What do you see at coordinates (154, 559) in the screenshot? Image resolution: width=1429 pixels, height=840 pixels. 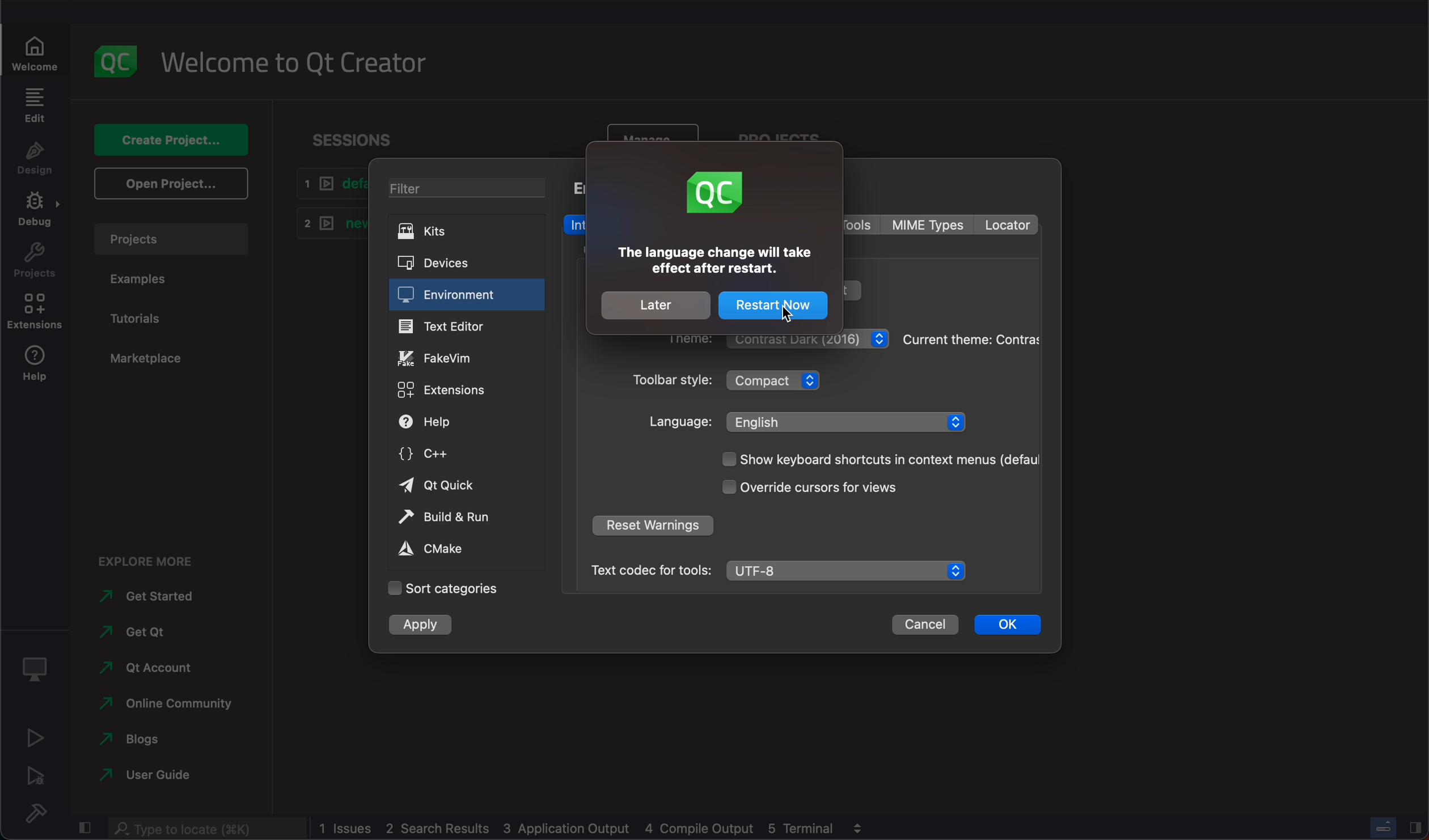 I see `explore more ` at bounding box center [154, 559].